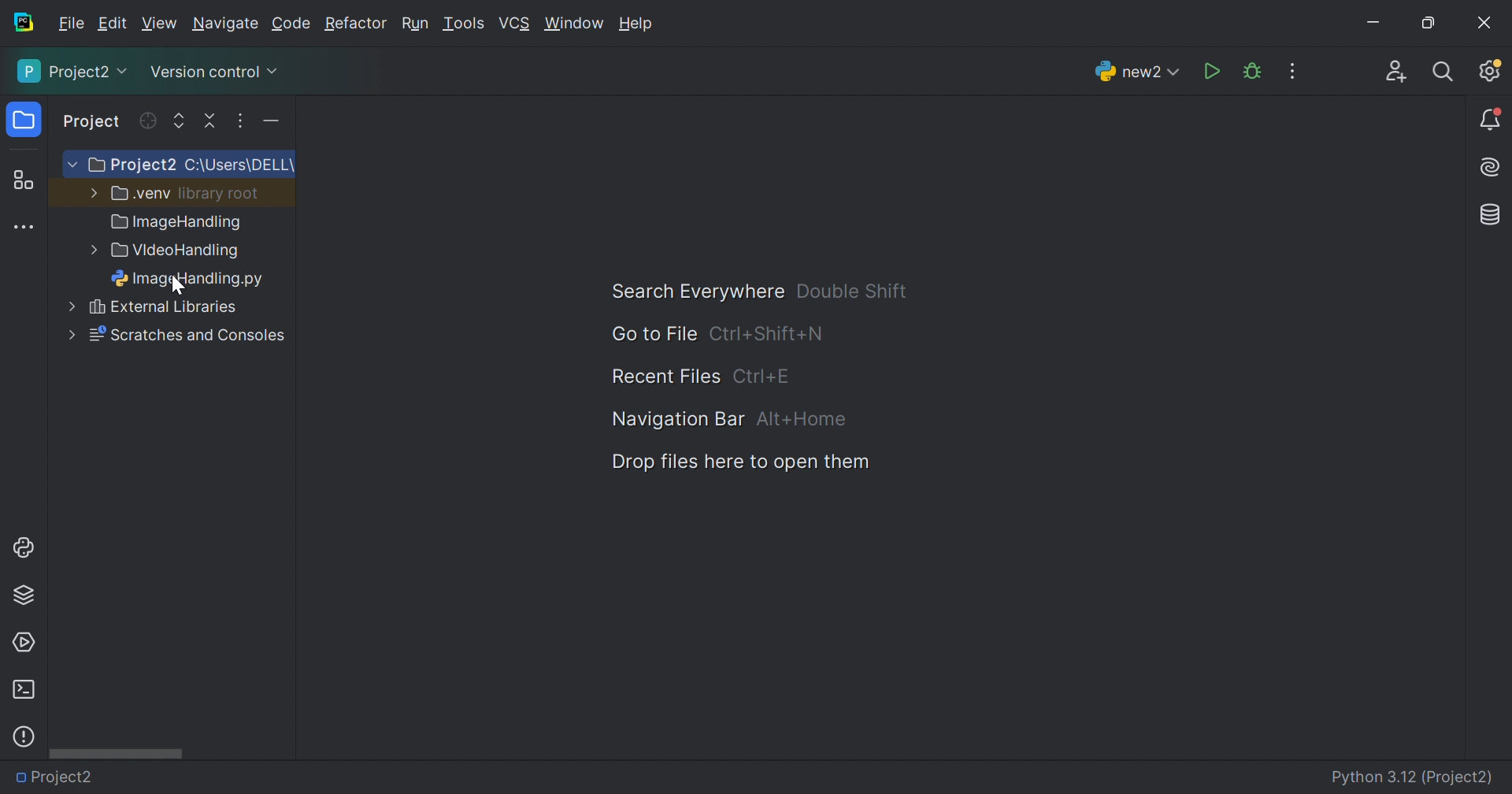 The height and width of the screenshot is (794, 1512). I want to click on Restore down, so click(1427, 24).